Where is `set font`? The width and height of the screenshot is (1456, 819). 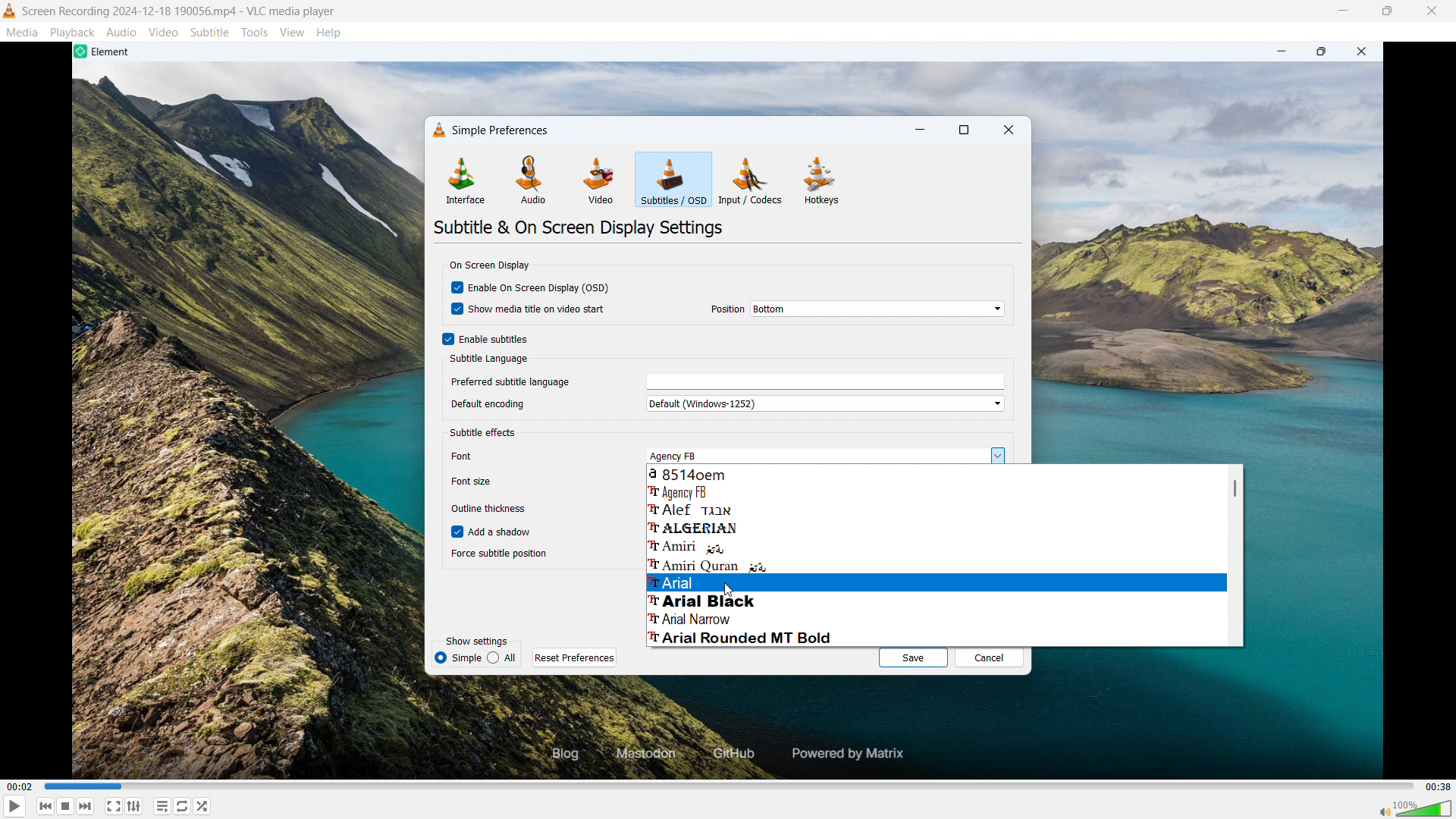
set font is located at coordinates (823, 456).